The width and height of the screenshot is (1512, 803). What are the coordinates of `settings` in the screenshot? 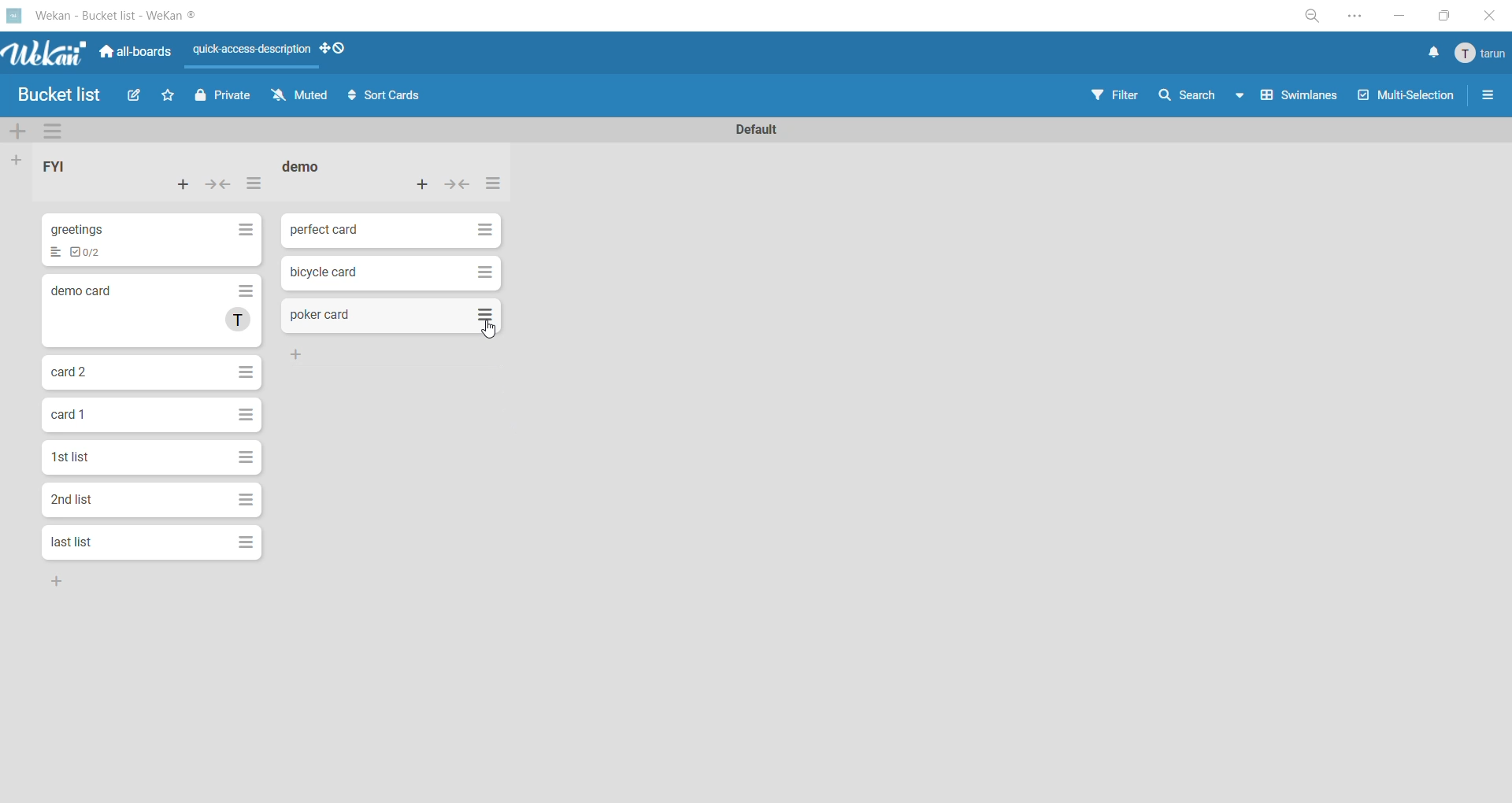 It's located at (1354, 17).